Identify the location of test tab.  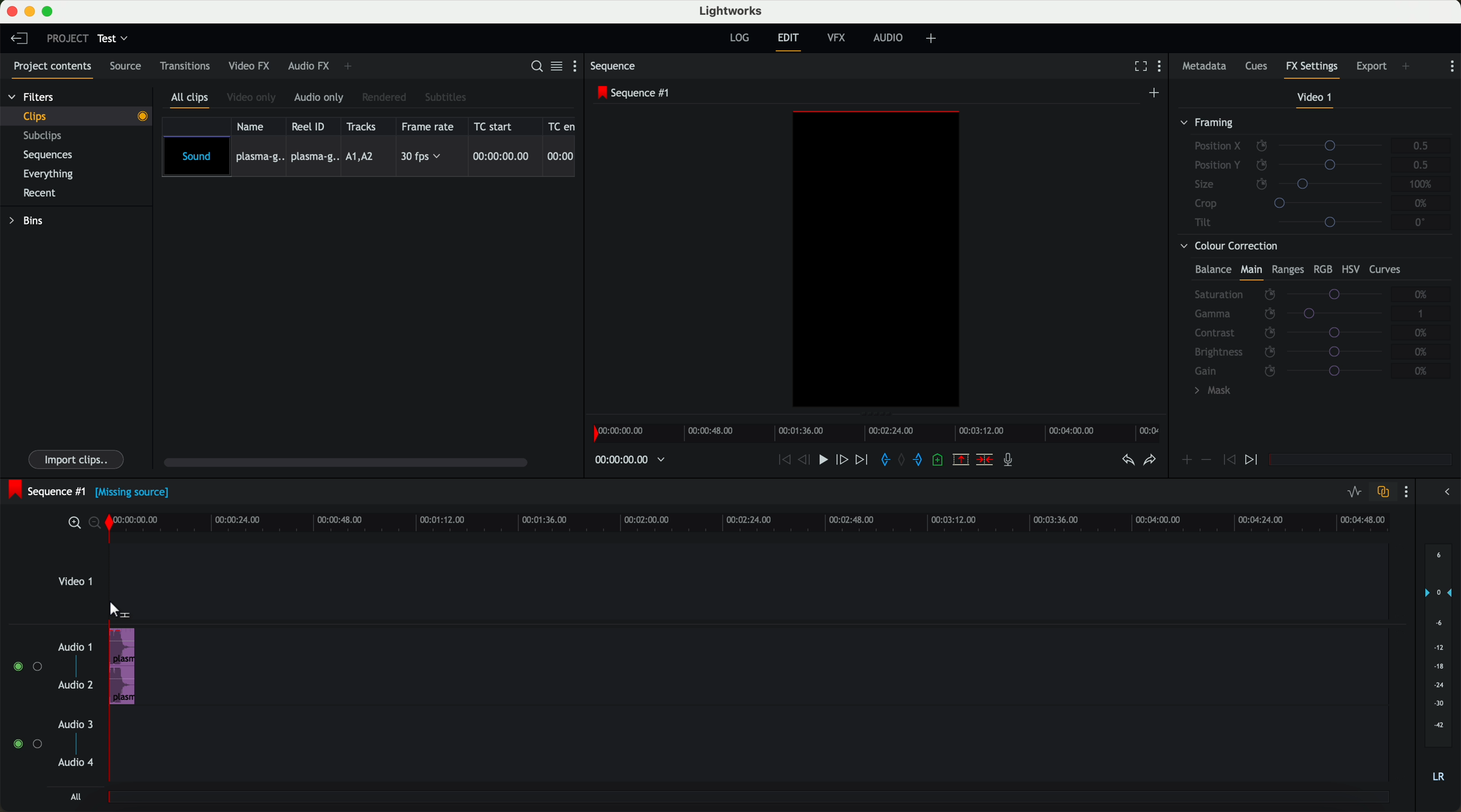
(114, 36).